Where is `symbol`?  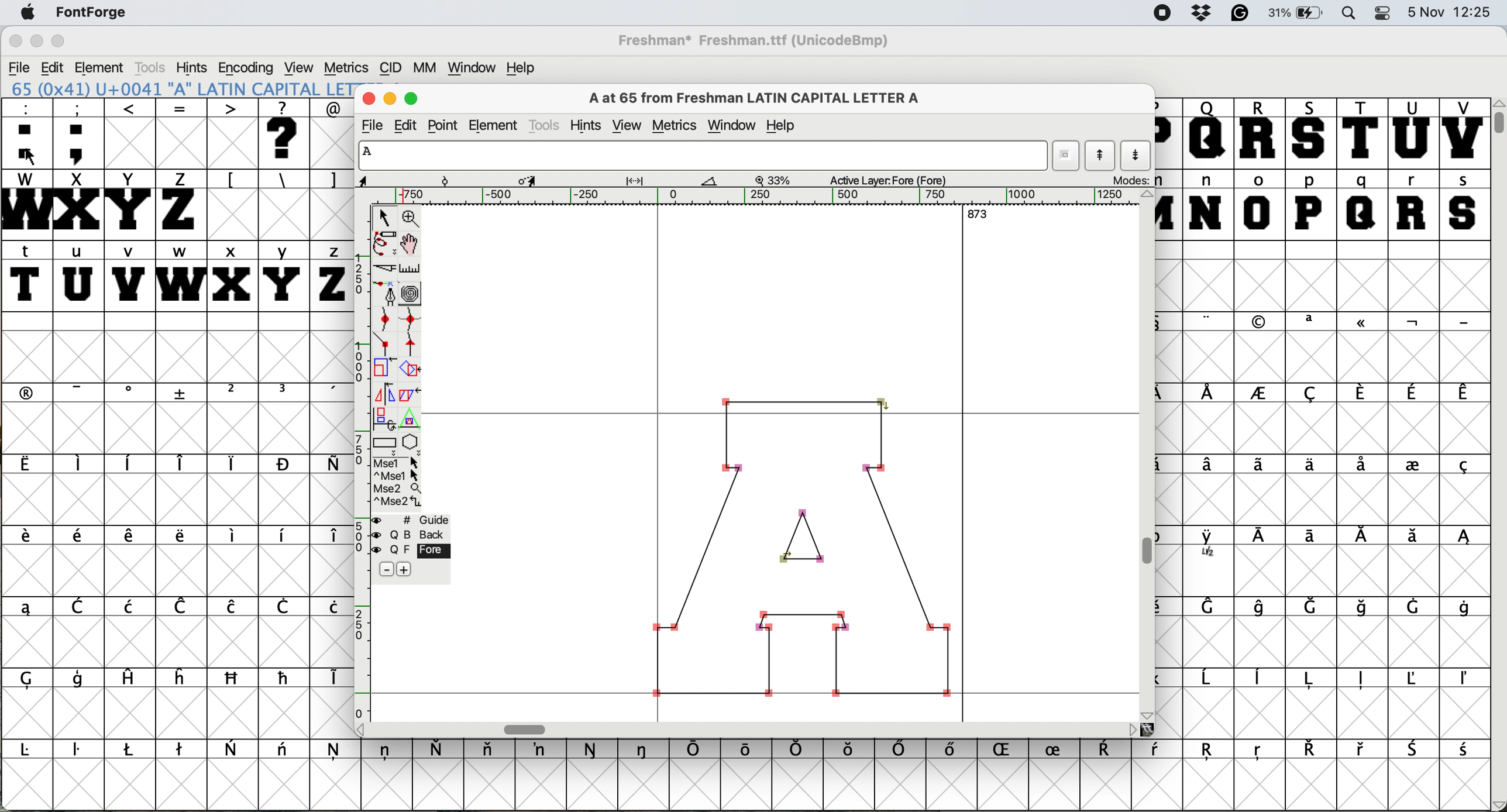 symbol is located at coordinates (1465, 607).